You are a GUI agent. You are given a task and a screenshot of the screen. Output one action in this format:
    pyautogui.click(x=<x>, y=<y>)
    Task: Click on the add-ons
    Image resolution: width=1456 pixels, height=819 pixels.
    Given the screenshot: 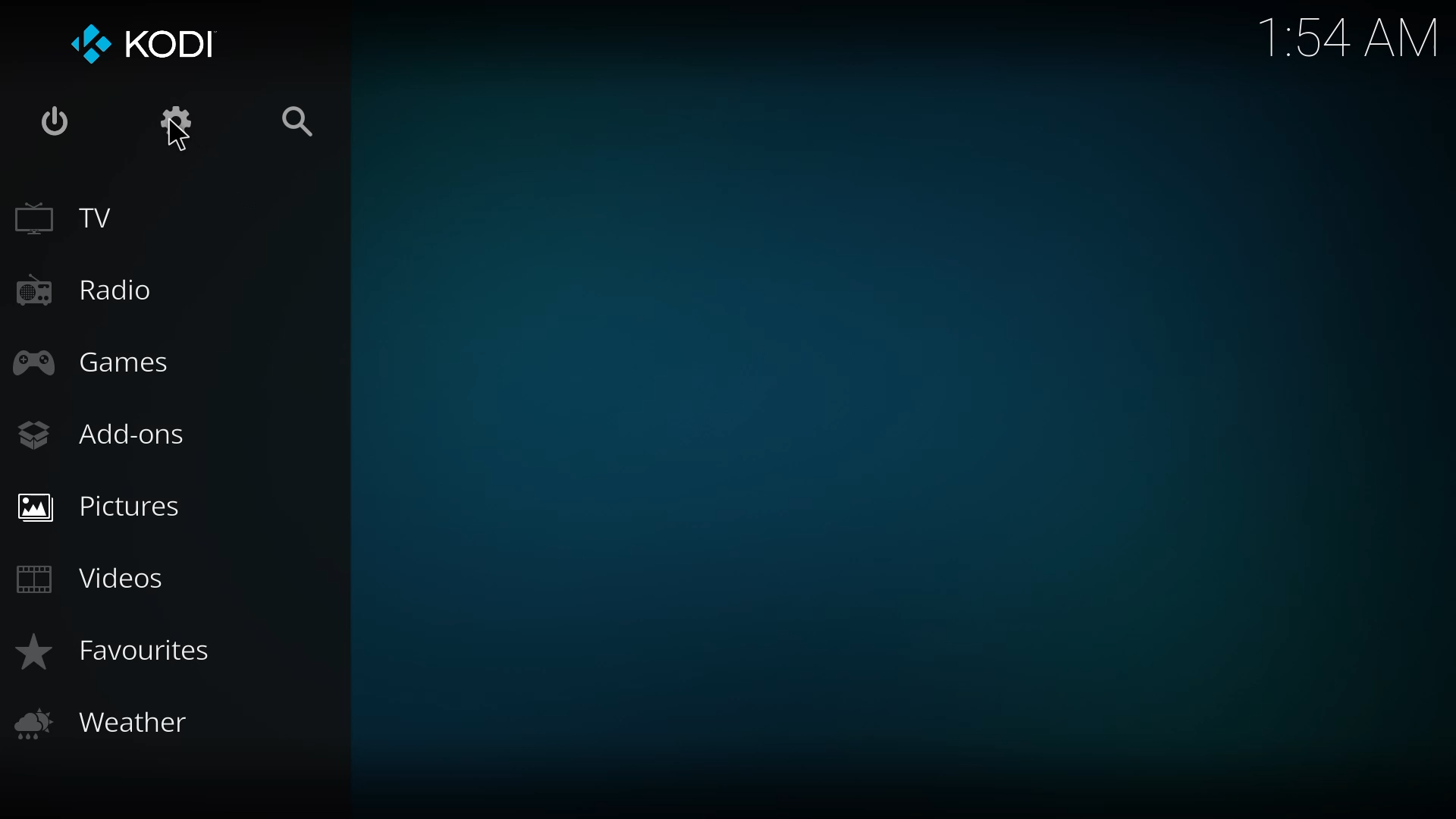 What is the action you would take?
    pyautogui.click(x=105, y=434)
    